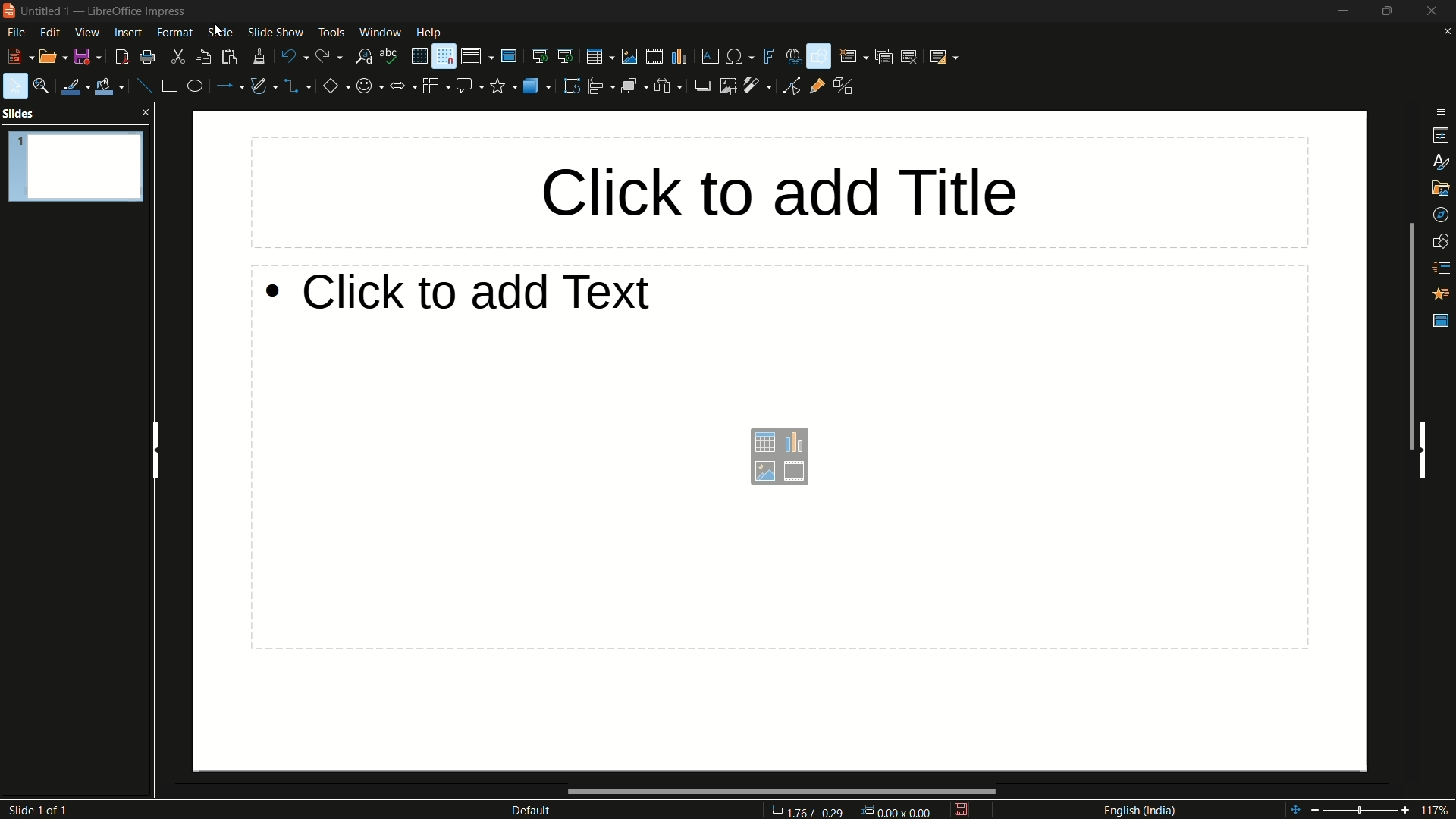 The height and width of the screenshot is (819, 1456). Describe the element at coordinates (1439, 213) in the screenshot. I see `navigator` at that location.